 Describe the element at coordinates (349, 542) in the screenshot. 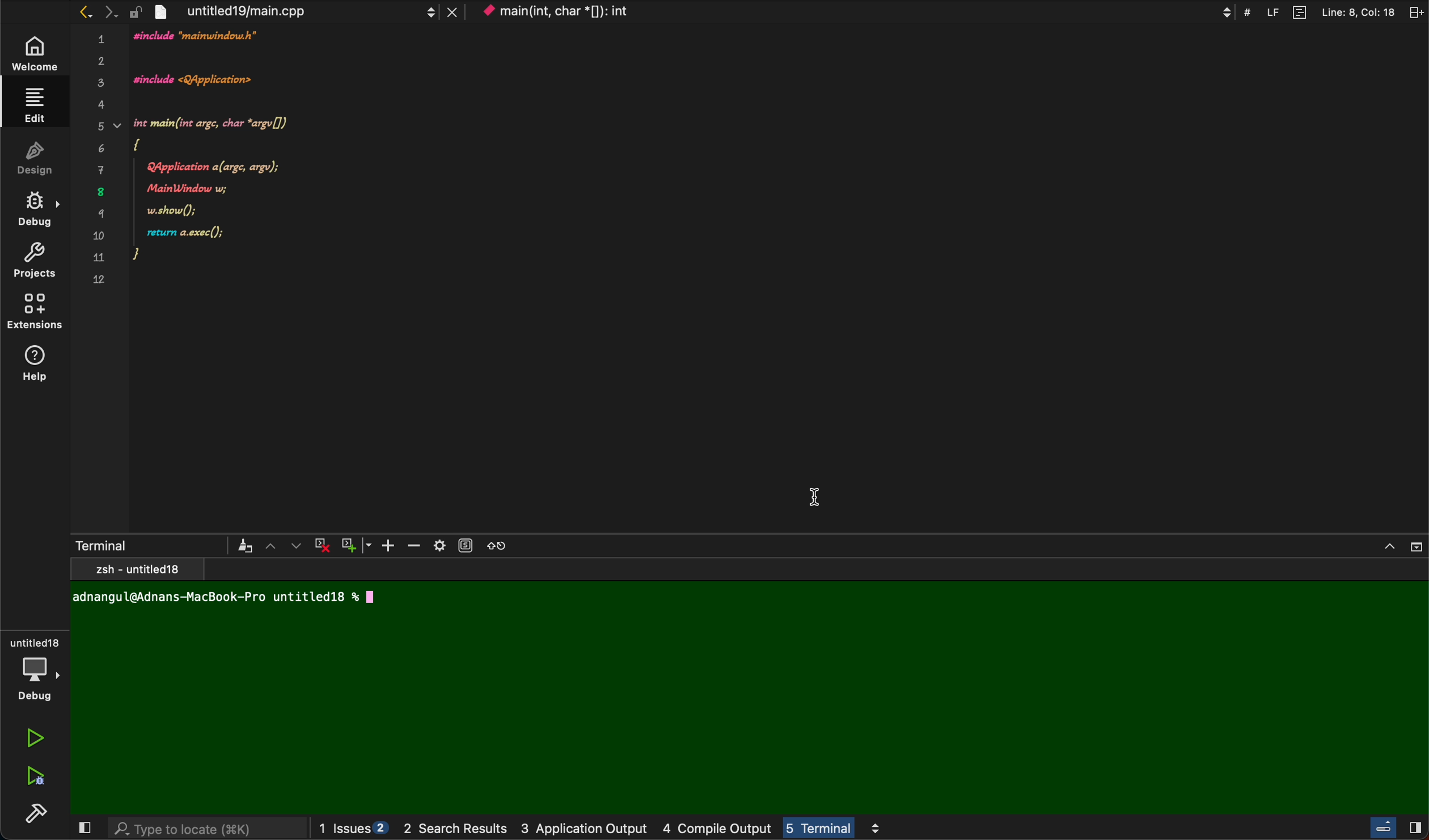

I see `plus` at that location.